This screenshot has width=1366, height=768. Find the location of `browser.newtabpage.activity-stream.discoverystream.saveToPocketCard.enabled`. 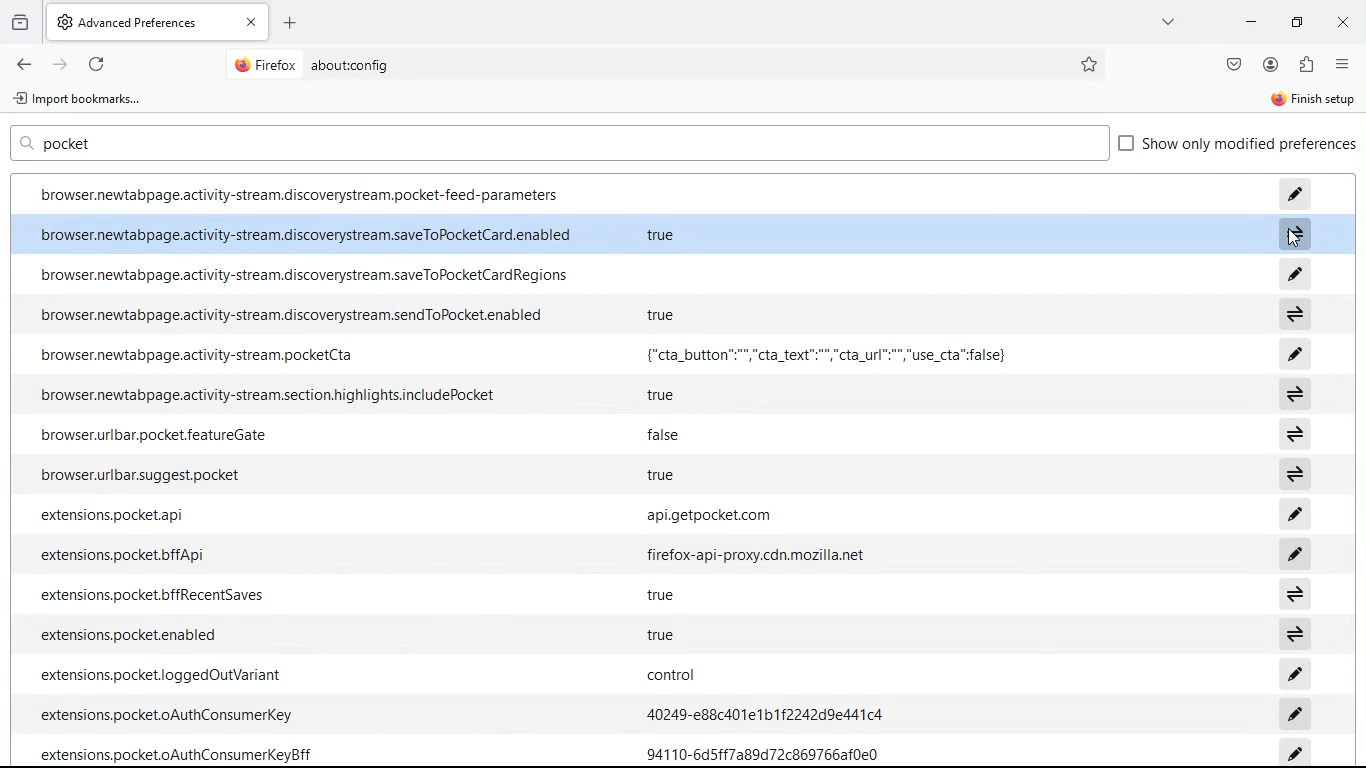

browser.newtabpage.activity-stream.discoverystream.saveToPocketCard.enabled is located at coordinates (320, 234).